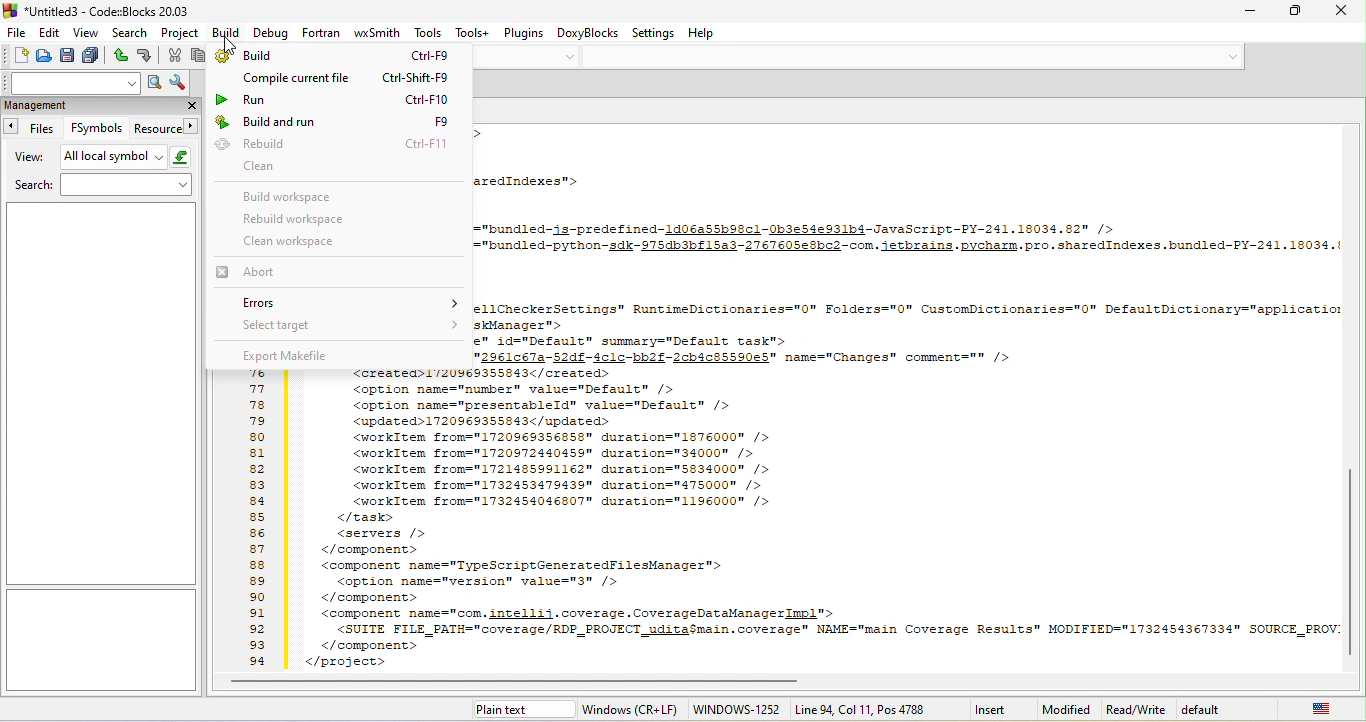 This screenshot has width=1366, height=722. I want to click on line 94, col 11, pos 4788, so click(859, 708).